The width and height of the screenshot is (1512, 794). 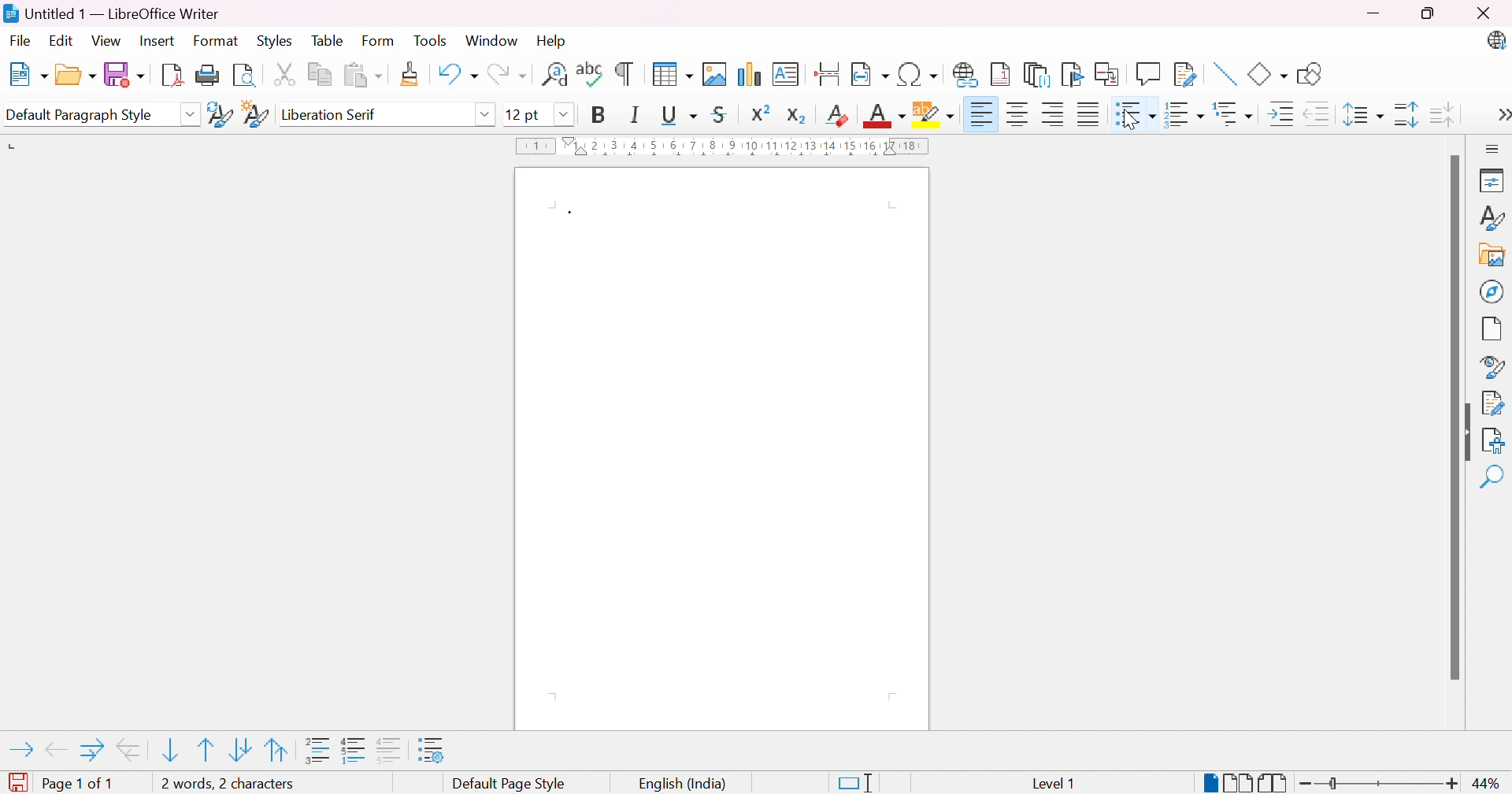 I want to click on Style, so click(x=1493, y=218).